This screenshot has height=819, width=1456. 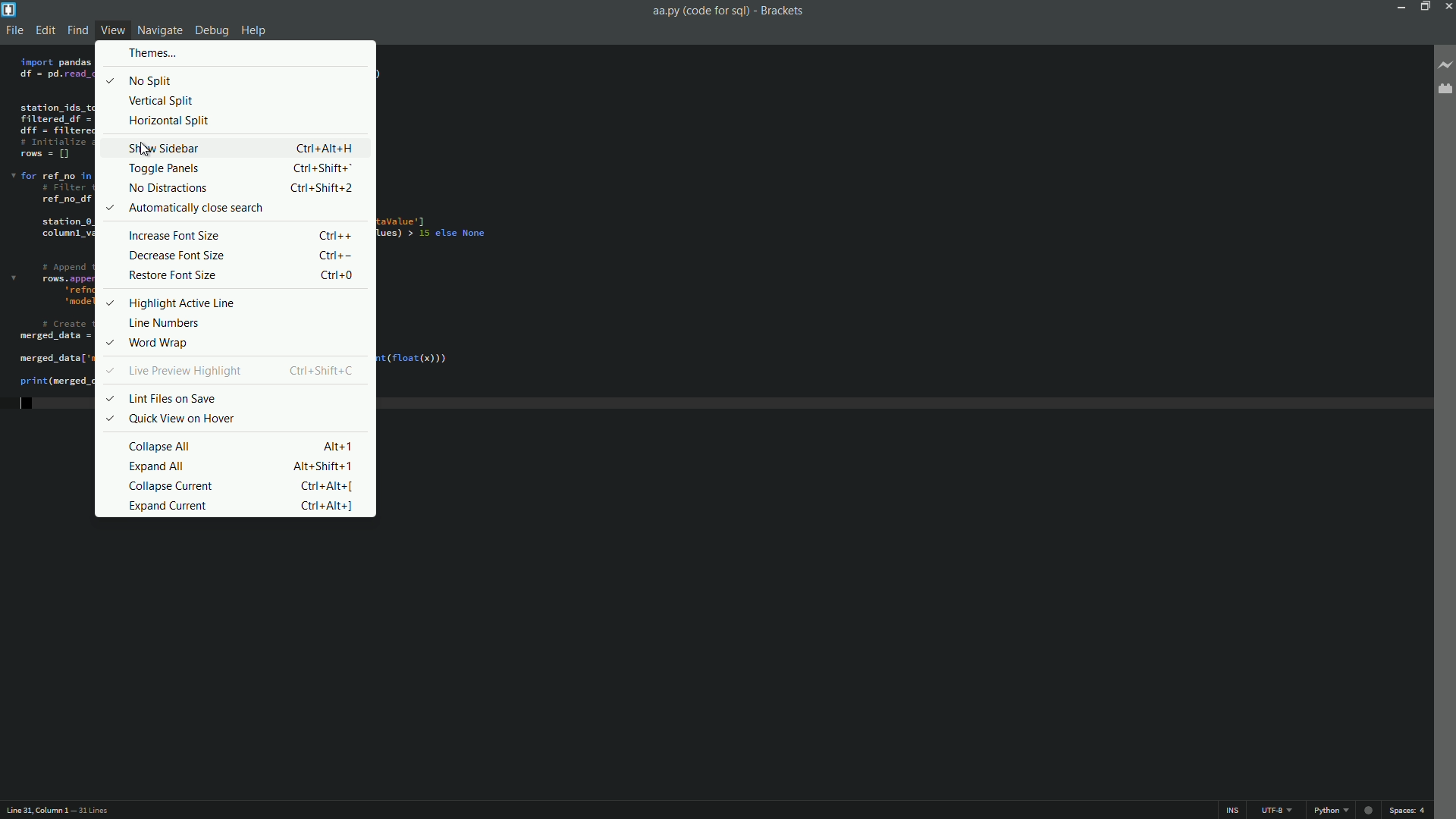 What do you see at coordinates (244, 446) in the screenshot?
I see `collapse all` at bounding box center [244, 446].